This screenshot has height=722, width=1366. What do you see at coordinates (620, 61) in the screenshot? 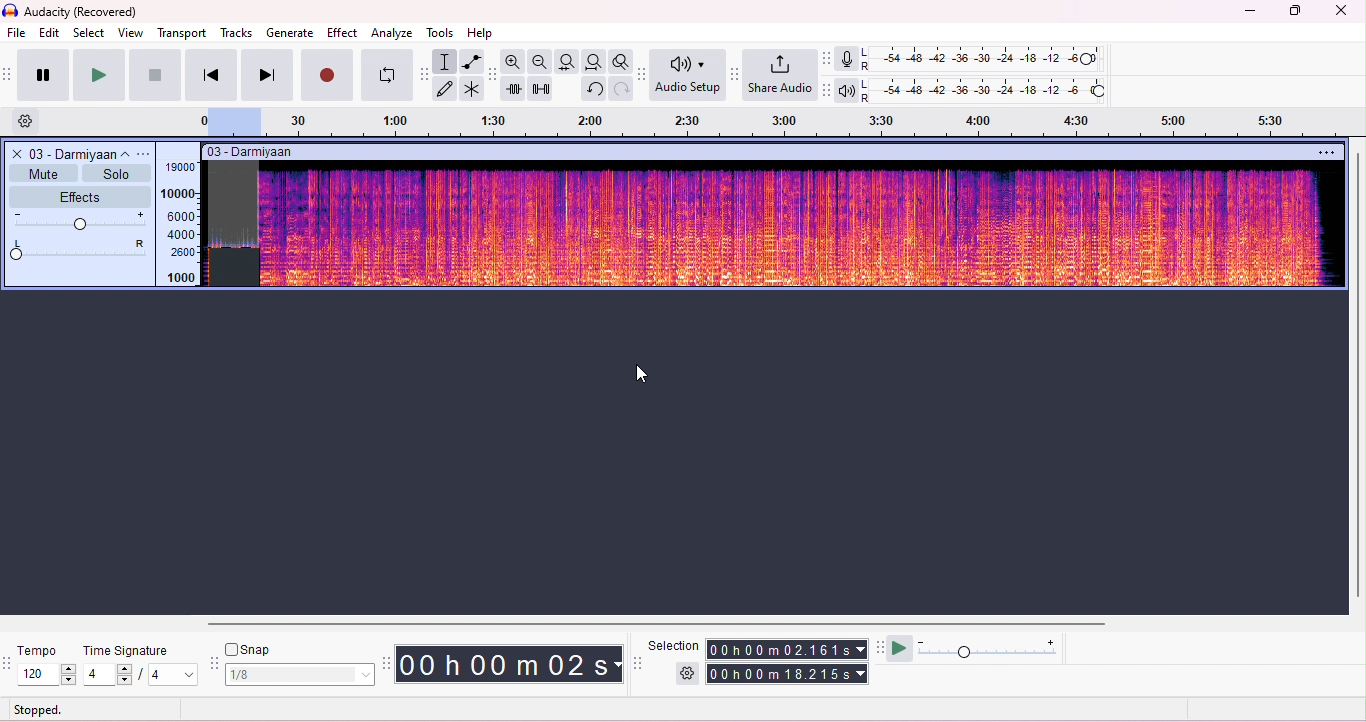
I see `toggle zoom` at bounding box center [620, 61].